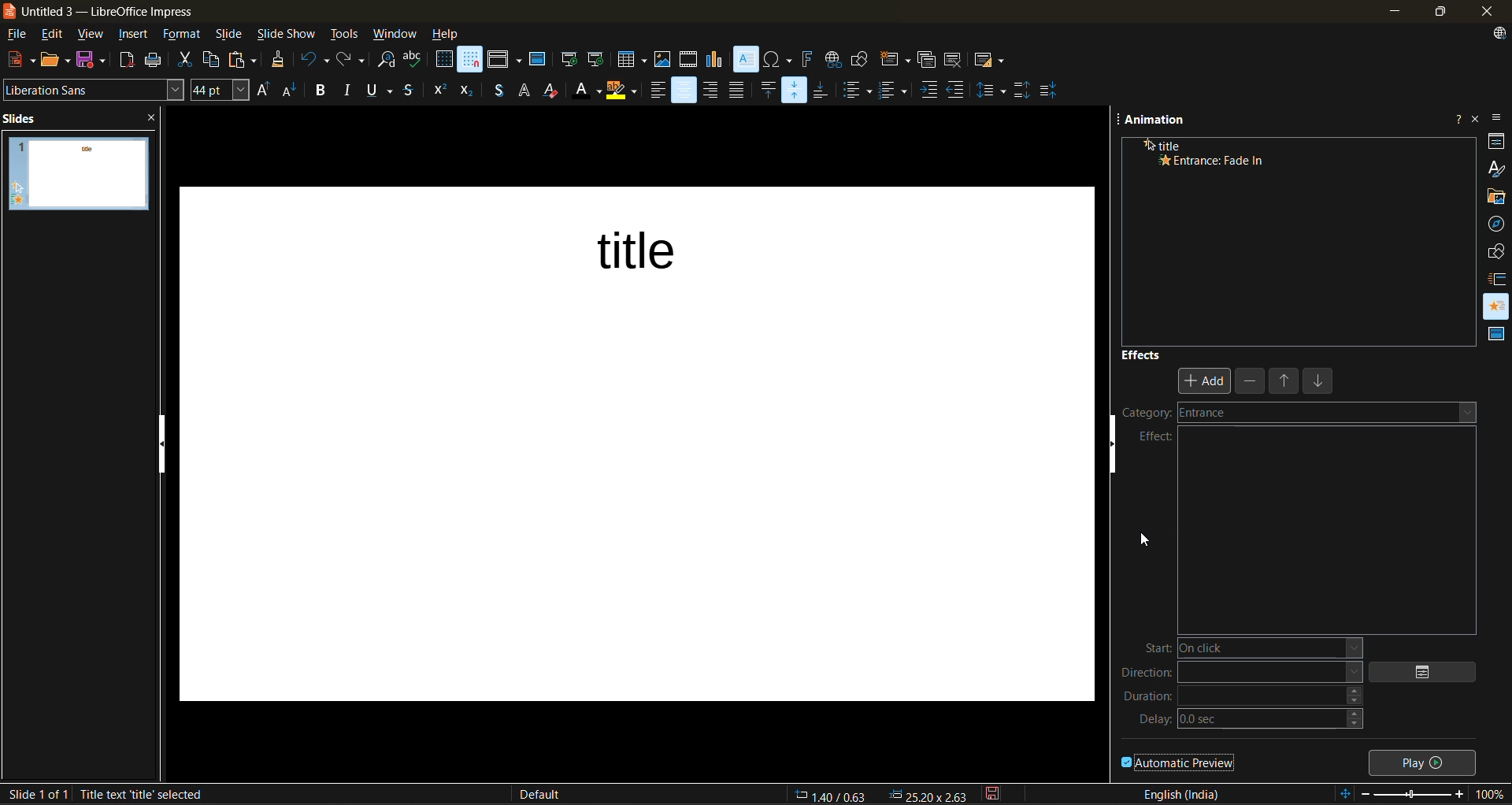  I want to click on slide master name, so click(549, 796).